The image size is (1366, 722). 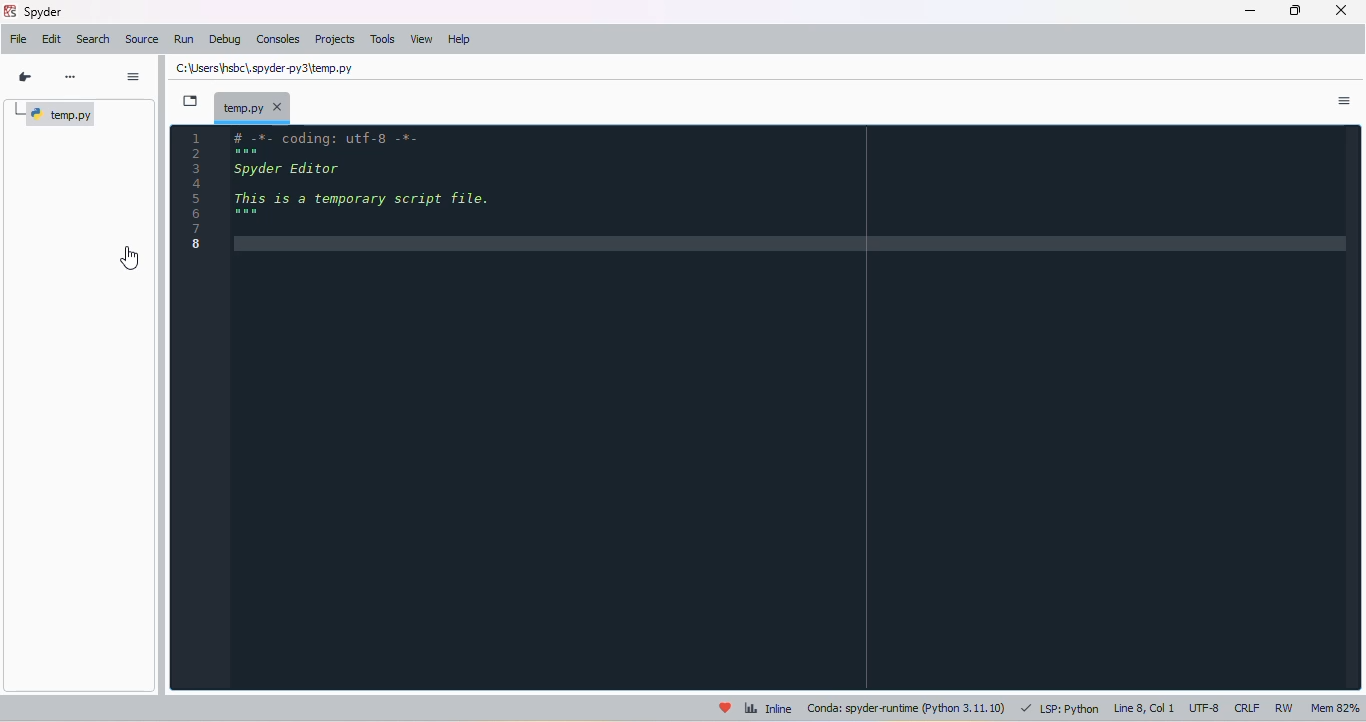 What do you see at coordinates (908, 708) in the screenshot?
I see `conda: spyder-runtime (python 3. 11. 10)` at bounding box center [908, 708].